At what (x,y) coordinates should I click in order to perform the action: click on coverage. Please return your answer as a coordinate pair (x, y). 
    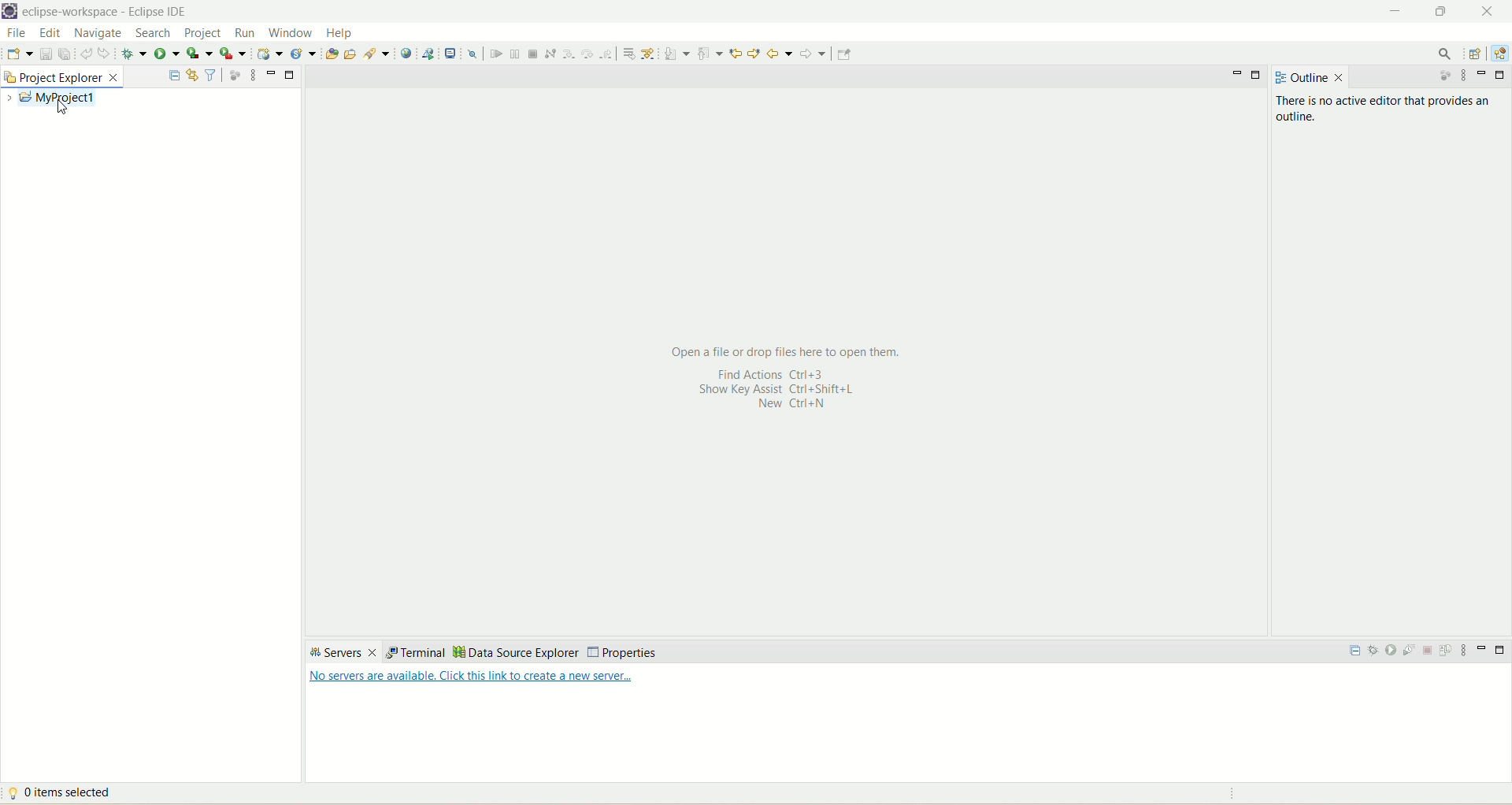
    Looking at the image, I should click on (199, 54).